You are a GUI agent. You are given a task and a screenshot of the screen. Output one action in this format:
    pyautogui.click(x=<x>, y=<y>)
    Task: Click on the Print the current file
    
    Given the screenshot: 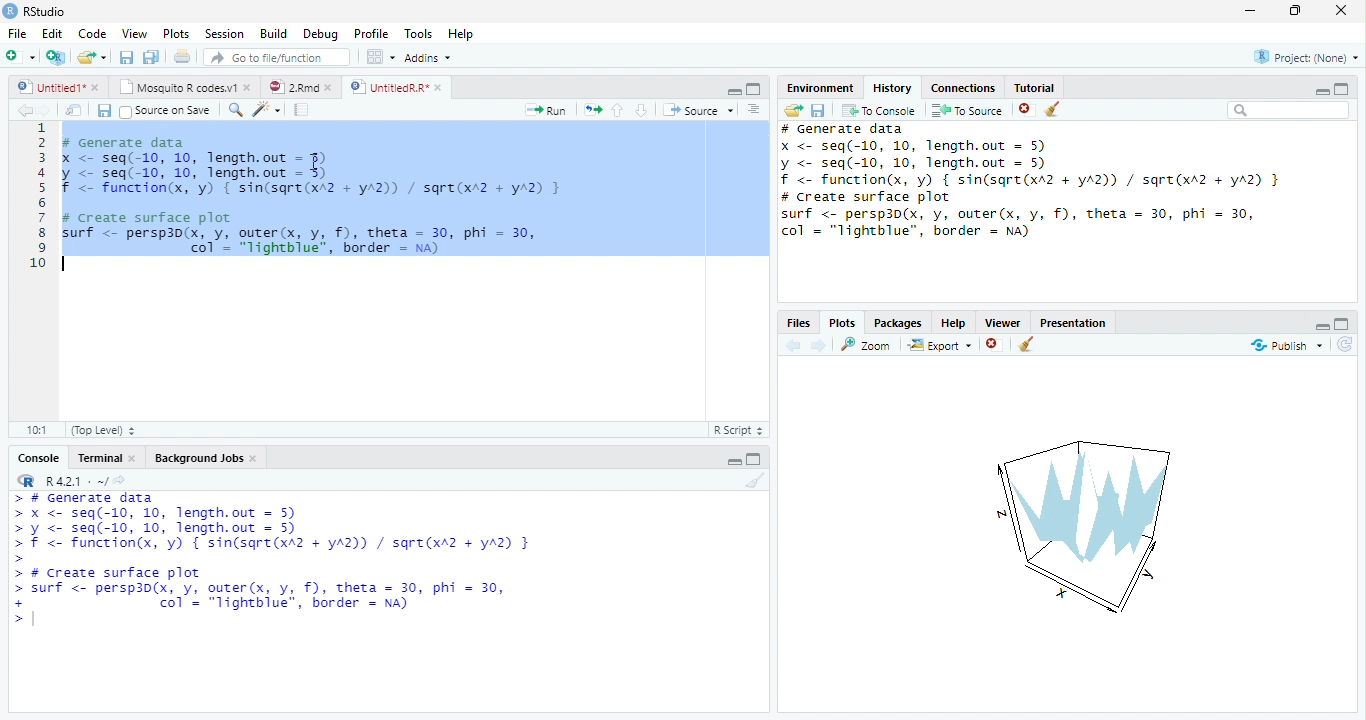 What is the action you would take?
    pyautogui.click(x=182, y=56)
    